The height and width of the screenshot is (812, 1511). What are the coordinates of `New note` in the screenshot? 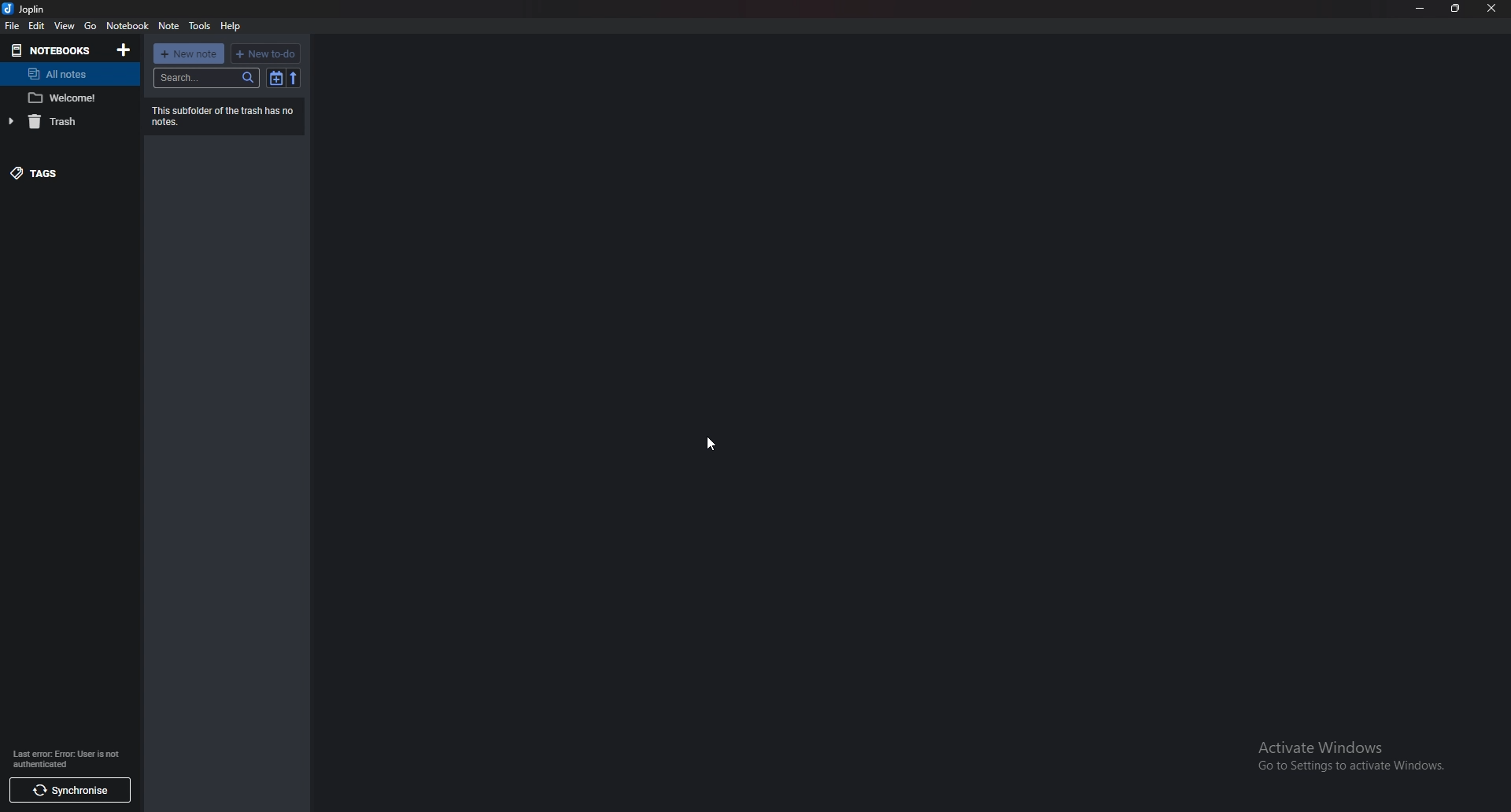 It's located at (189, 54).